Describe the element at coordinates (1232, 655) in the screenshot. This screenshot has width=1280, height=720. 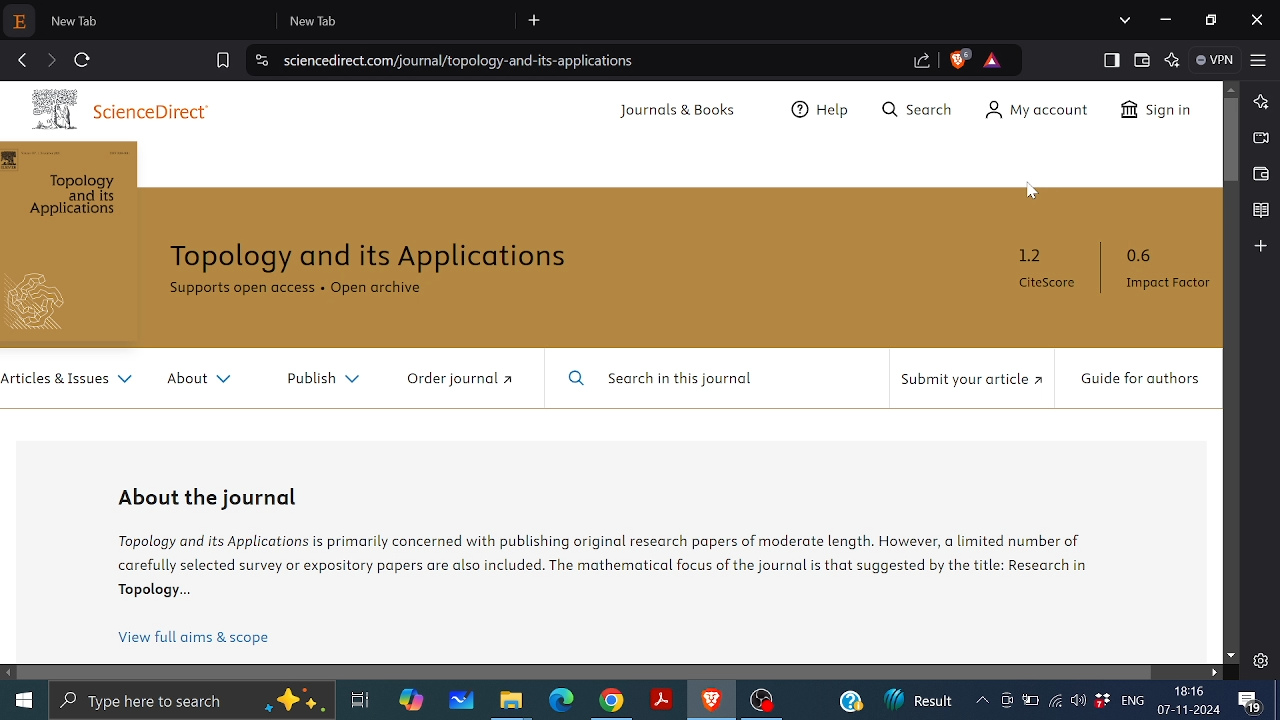
I see `Move down` at that location.